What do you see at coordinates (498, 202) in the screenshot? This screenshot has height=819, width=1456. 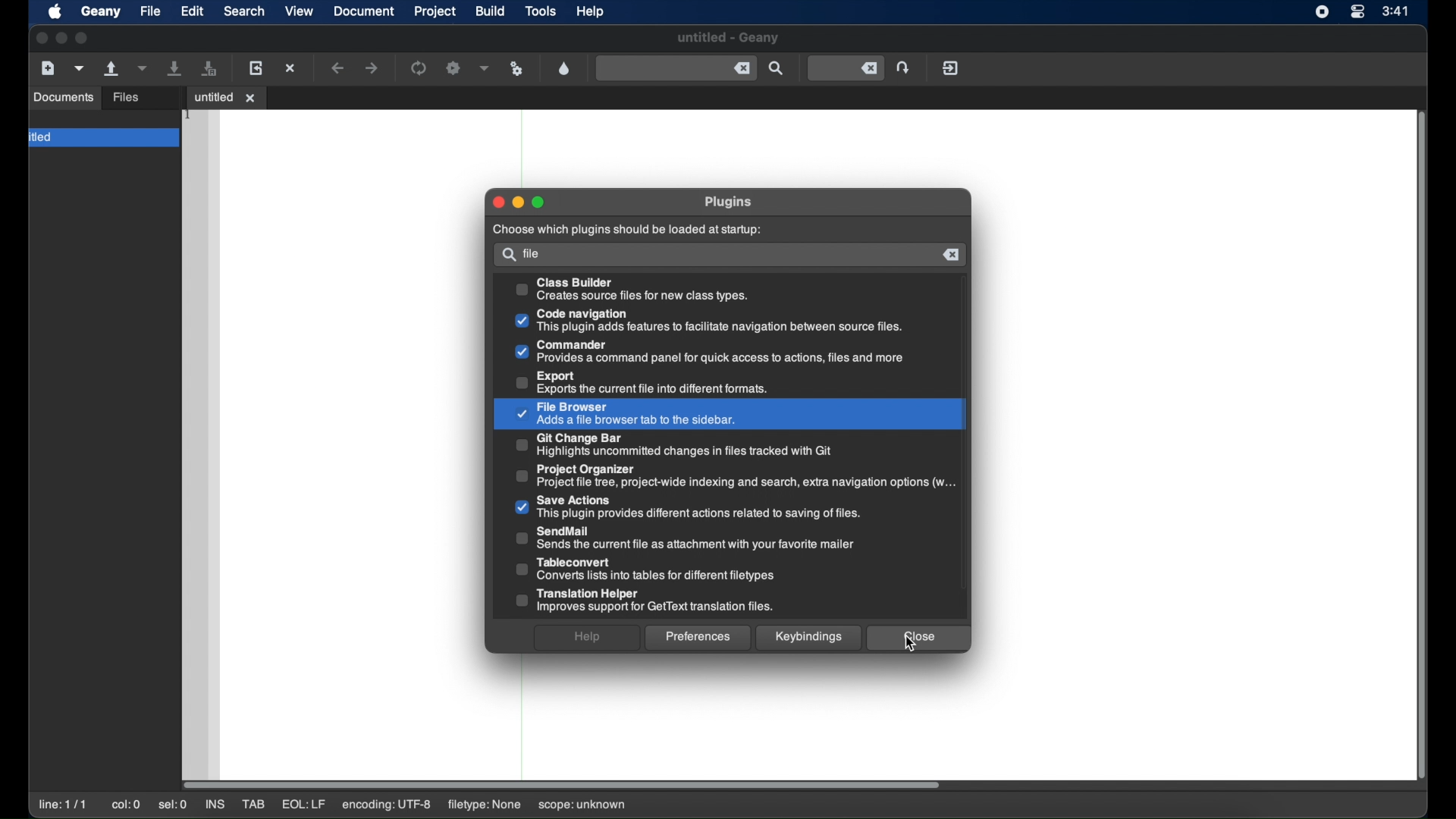 I see `` at bounding box center [498, 202].